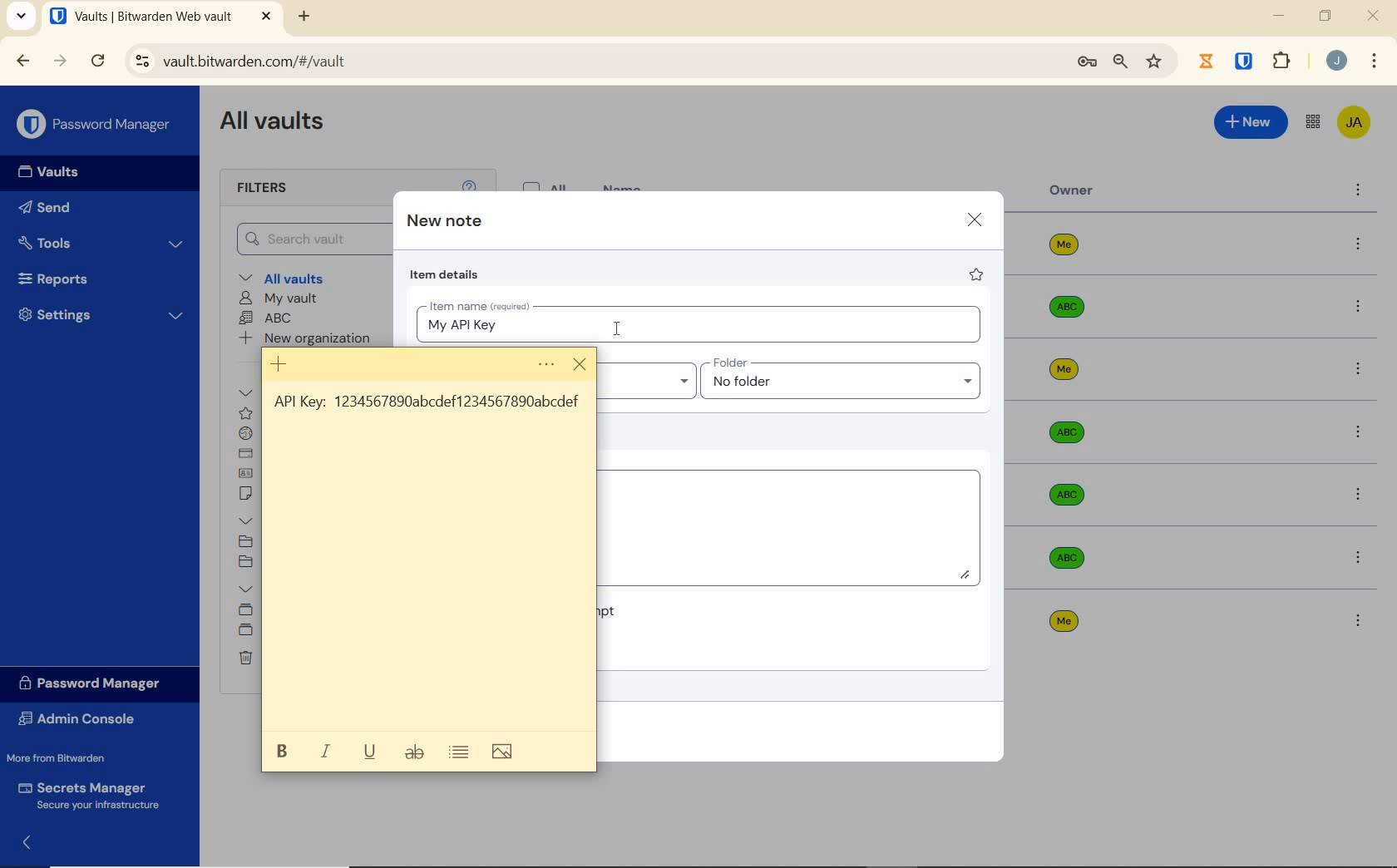 Image resolution: width=1397 pixels, height=868 pixels. I want to click on folders, so click(246, 521).